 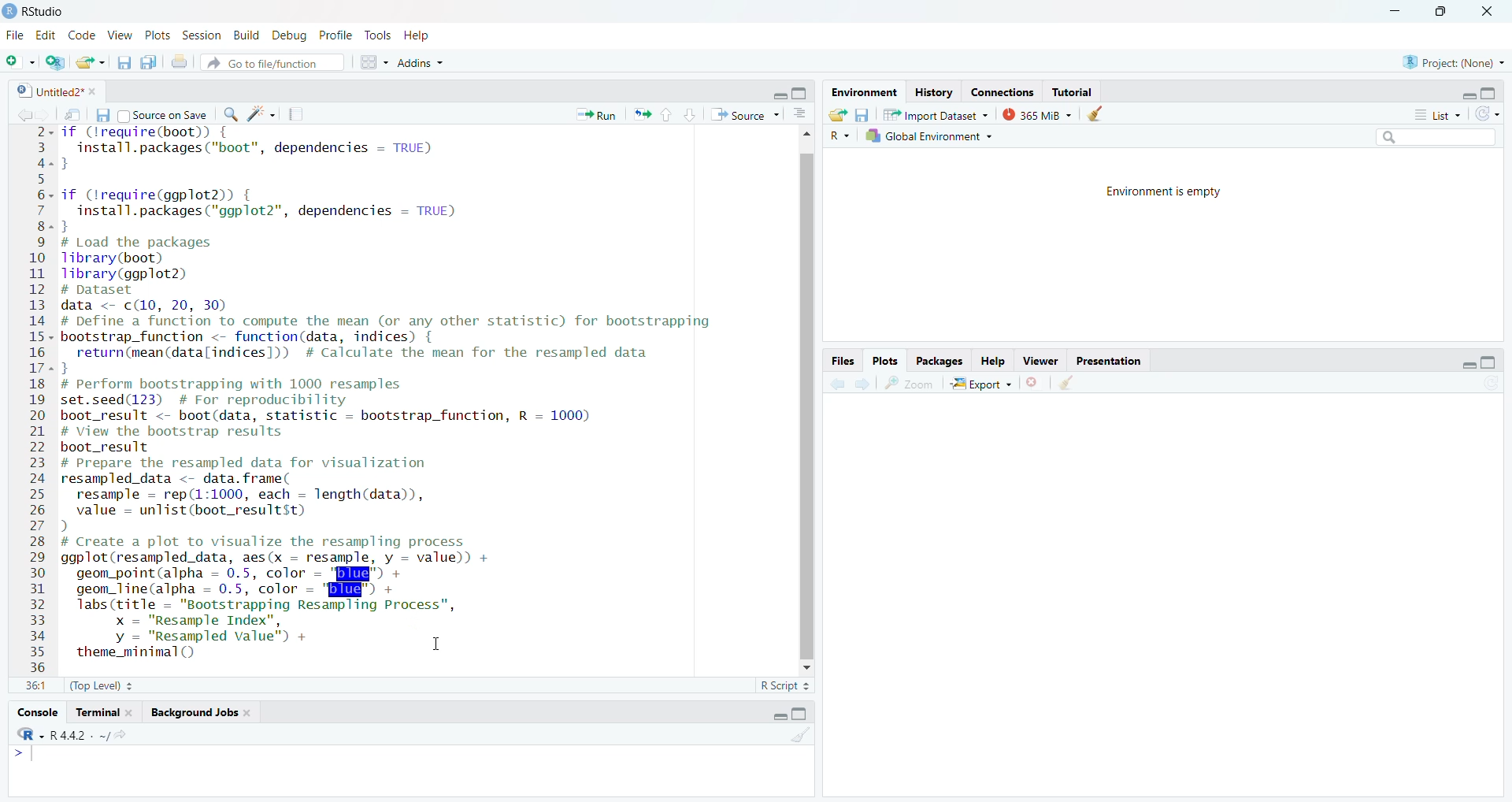 What do you see at coordinates (802, 715) in the screenshot?
I see `hide console` at bounding box center [802, 715].